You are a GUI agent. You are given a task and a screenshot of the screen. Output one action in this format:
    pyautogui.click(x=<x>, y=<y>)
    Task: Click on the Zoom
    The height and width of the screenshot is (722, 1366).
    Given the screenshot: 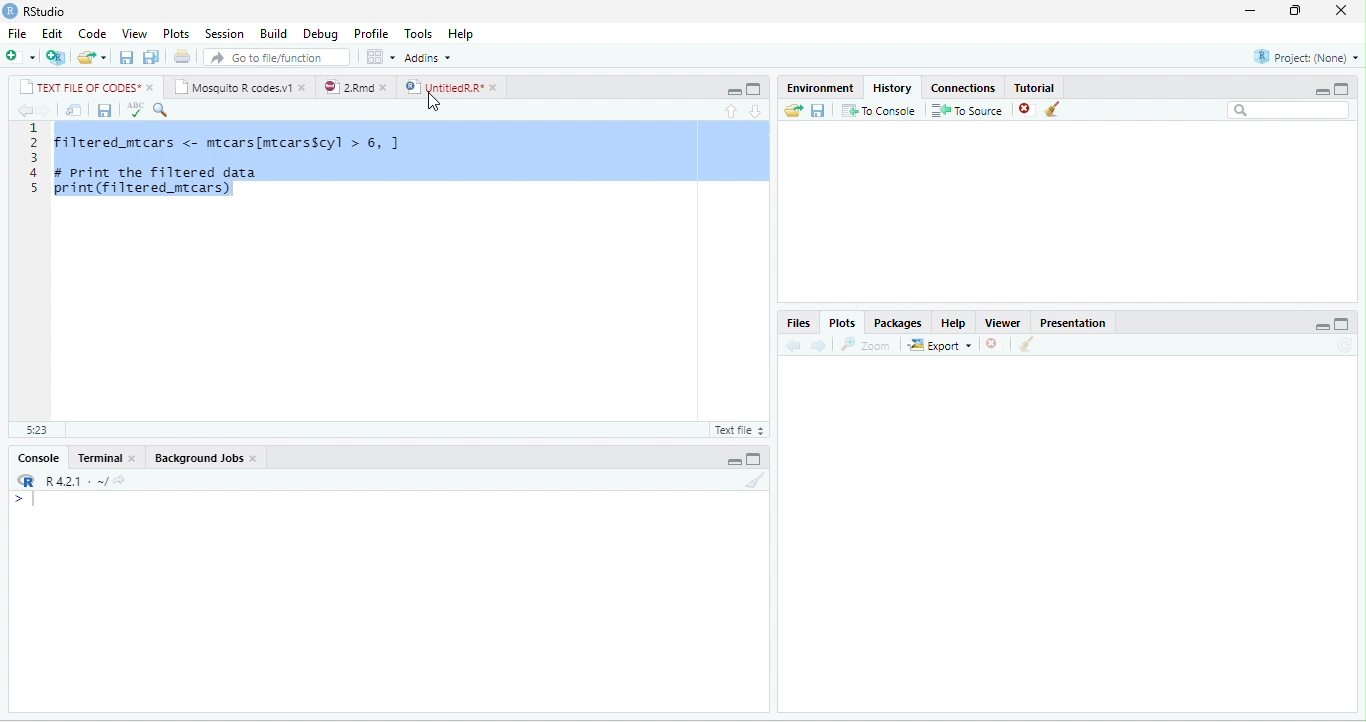 What is the action you would take?
    pyautogui.click(x=864, y=345)
    